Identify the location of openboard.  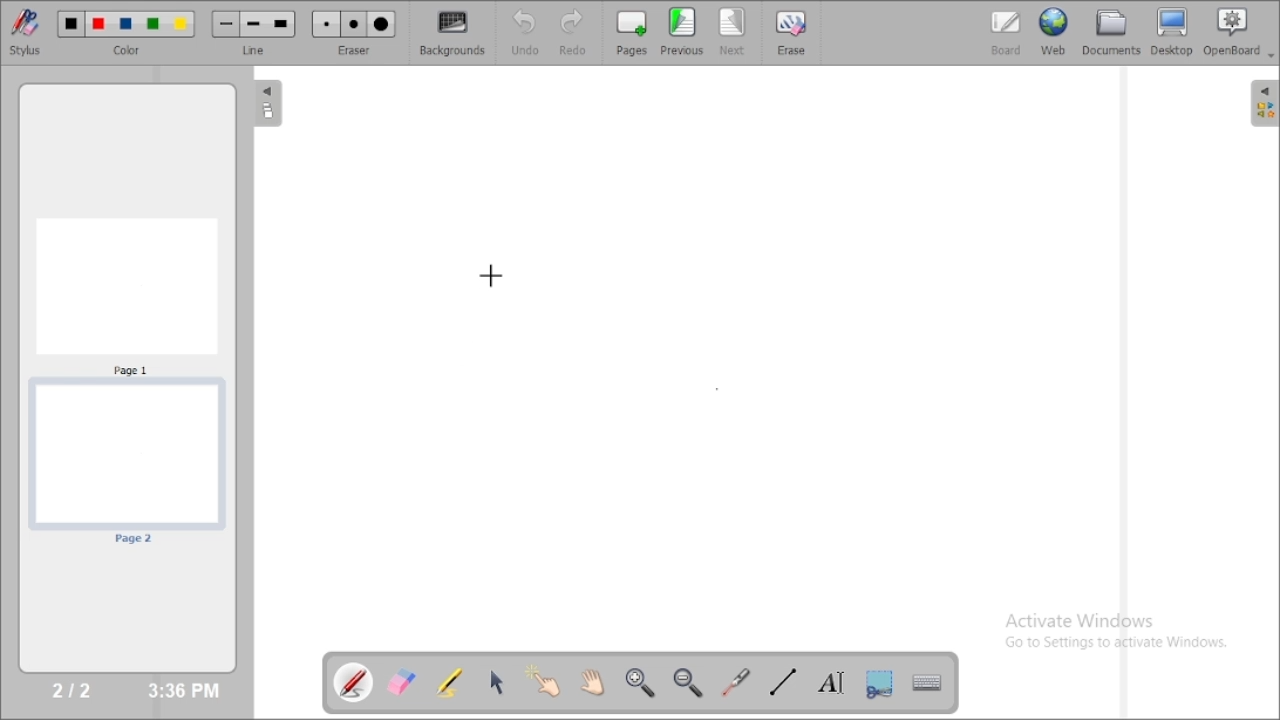
(1239, 33).